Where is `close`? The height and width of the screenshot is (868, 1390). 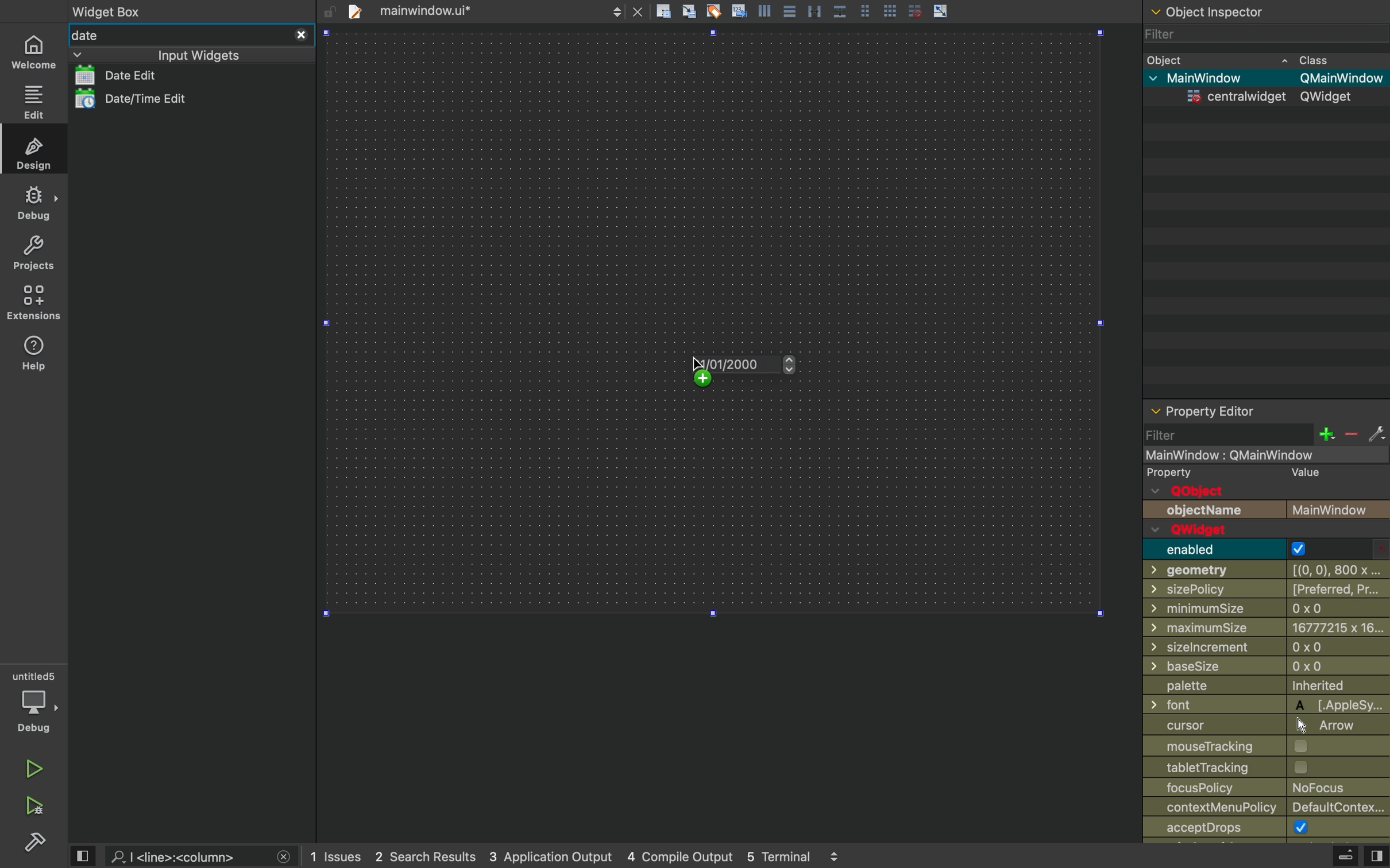
close is located at coordinates (284, 858).